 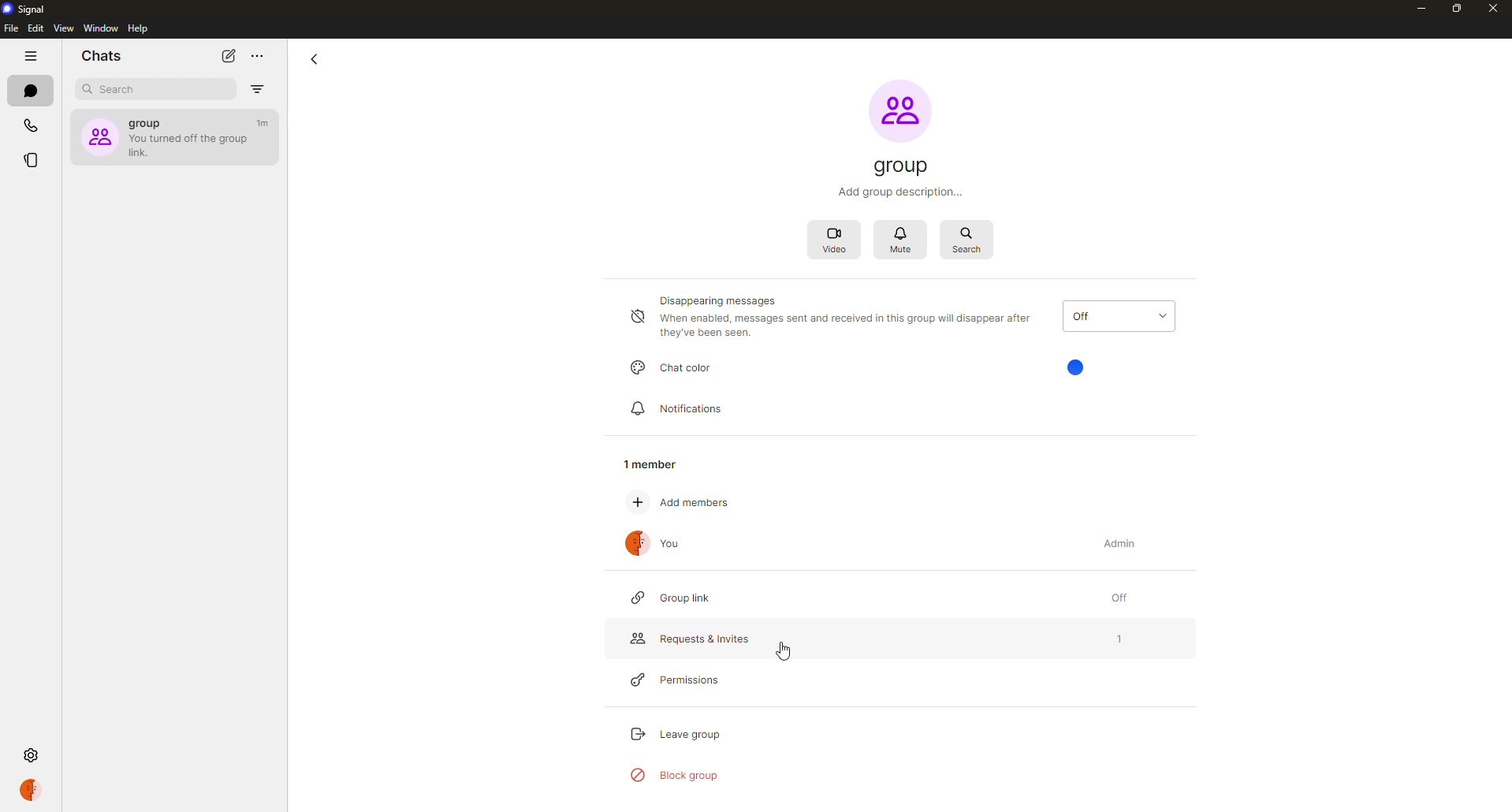 I want to click on chats, so click(x=102, y=56).